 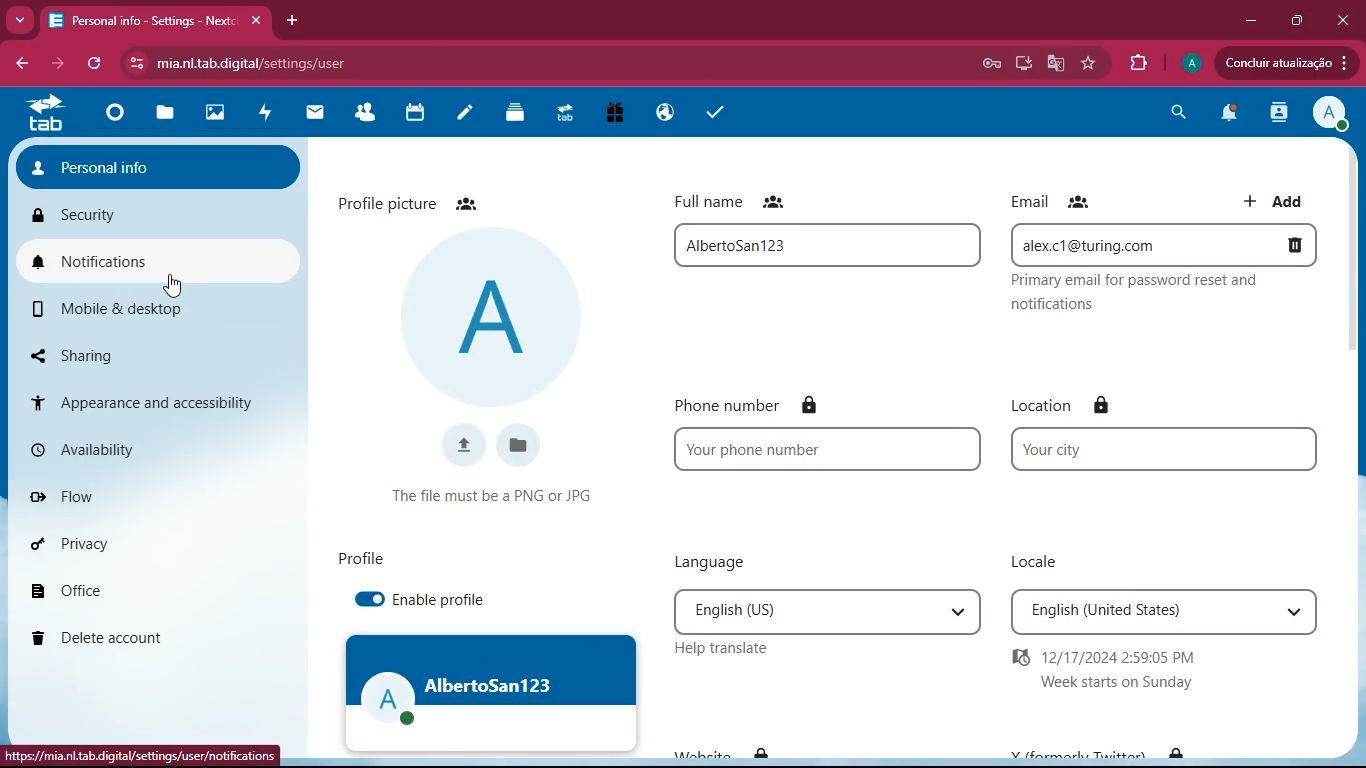 I want to click on full name, so click(x=776, y=197).